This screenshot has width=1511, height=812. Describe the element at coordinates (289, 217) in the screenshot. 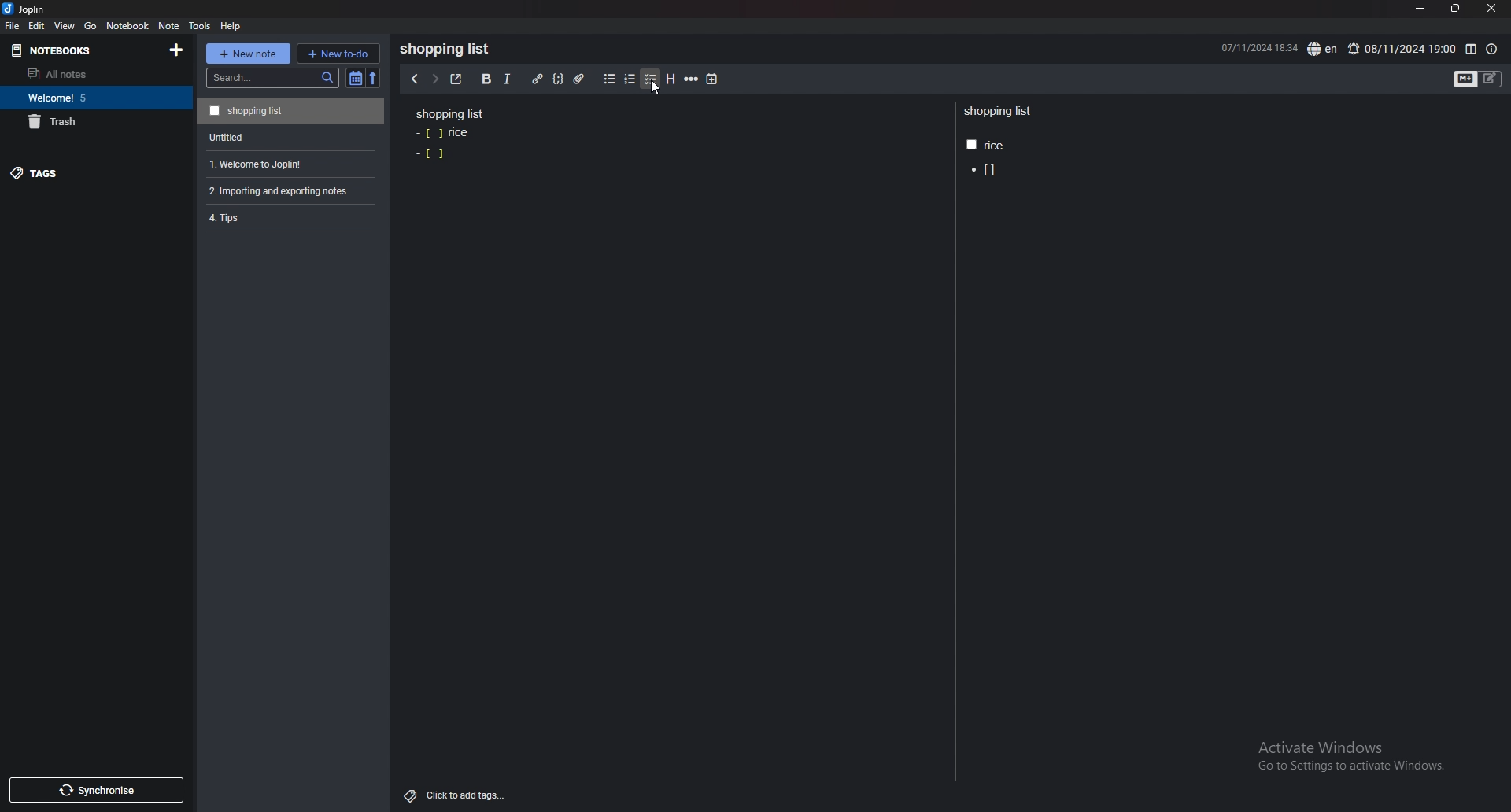

I see `4.Tips.` at that location.